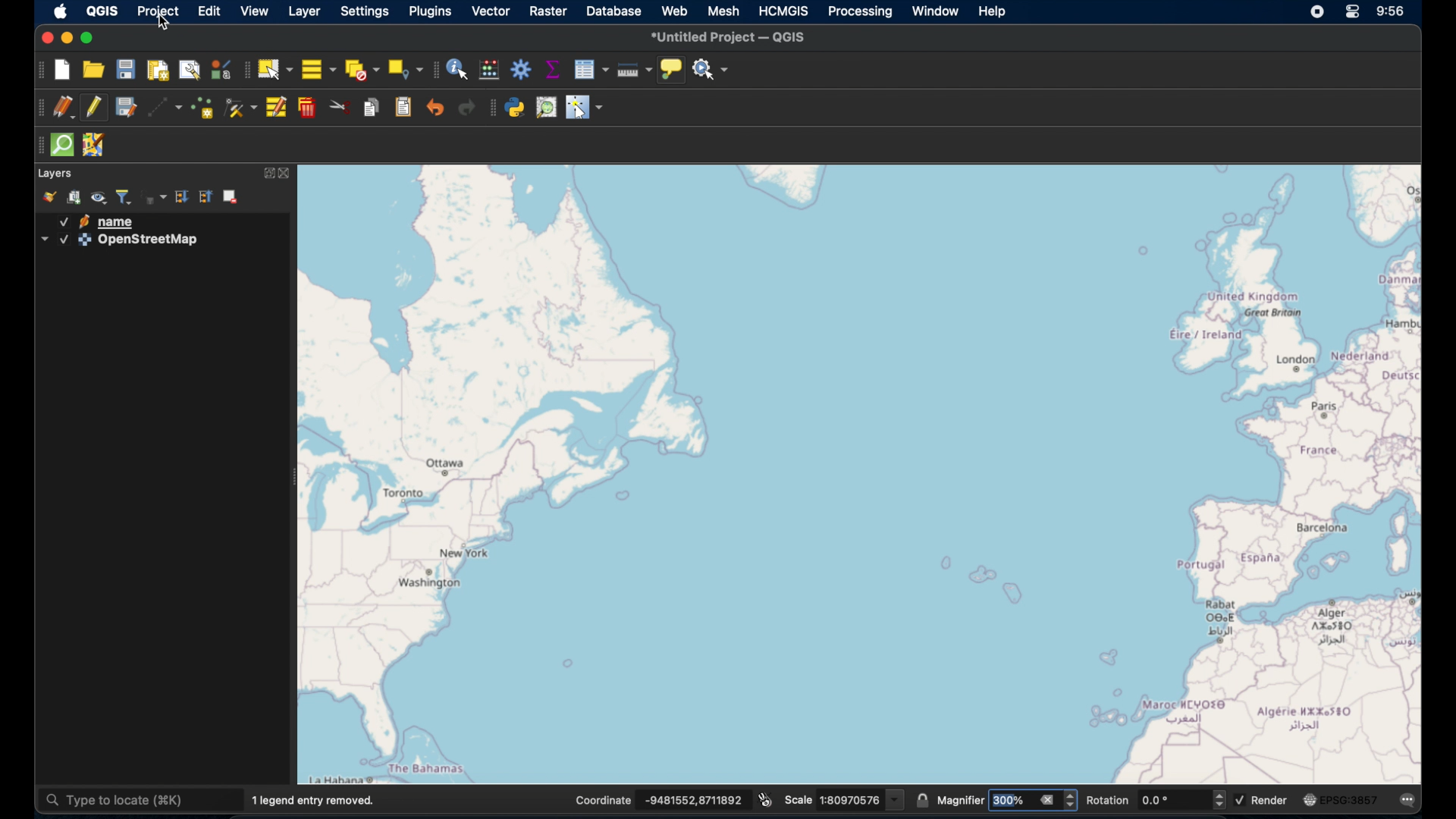 The width and height of the screenshot is (1456, 819). What do you see at coordinates (252, 11) in the screenshot?
I see `view` at bounding box center [252, 11].